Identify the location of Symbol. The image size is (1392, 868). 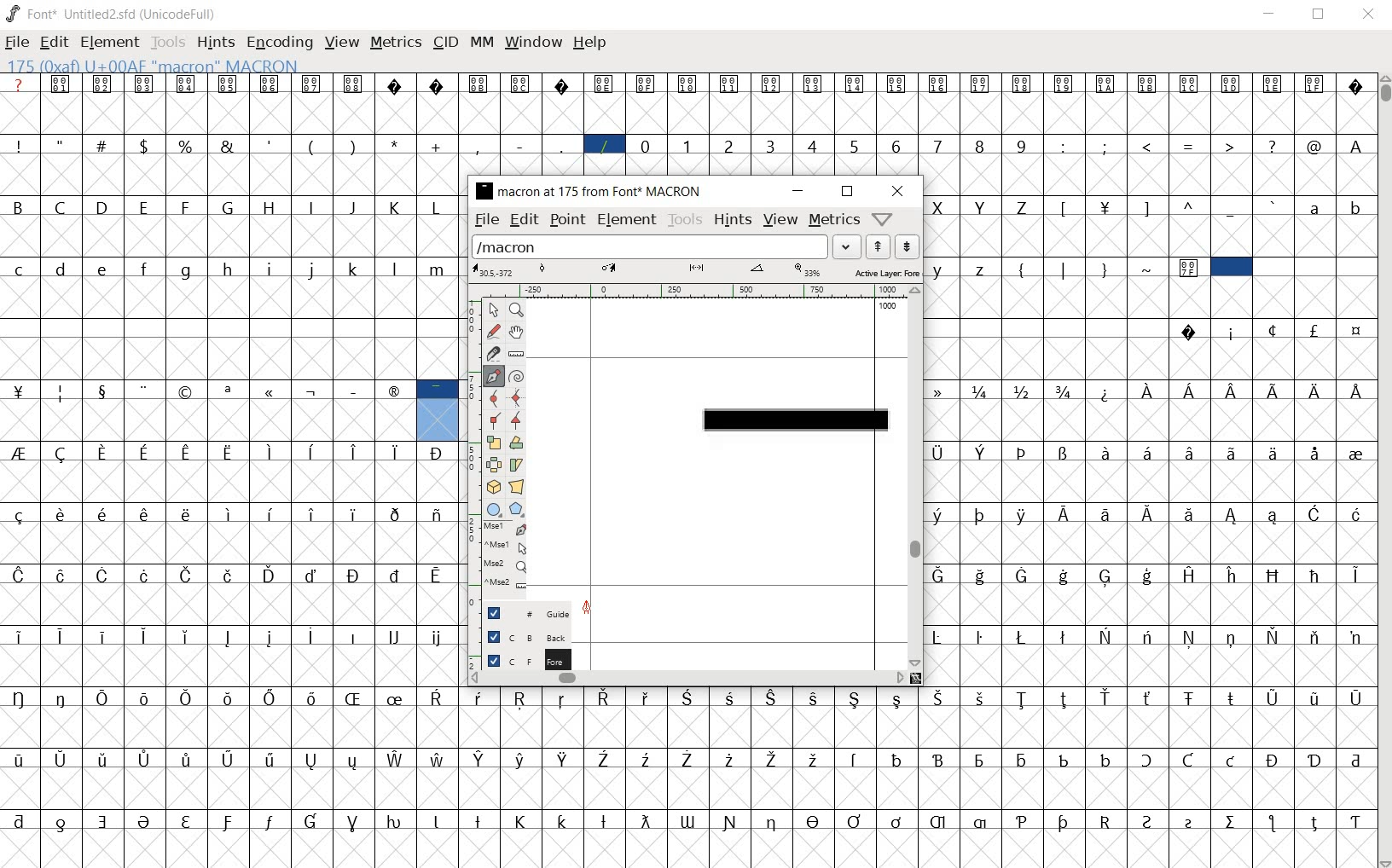
(1315, 696).